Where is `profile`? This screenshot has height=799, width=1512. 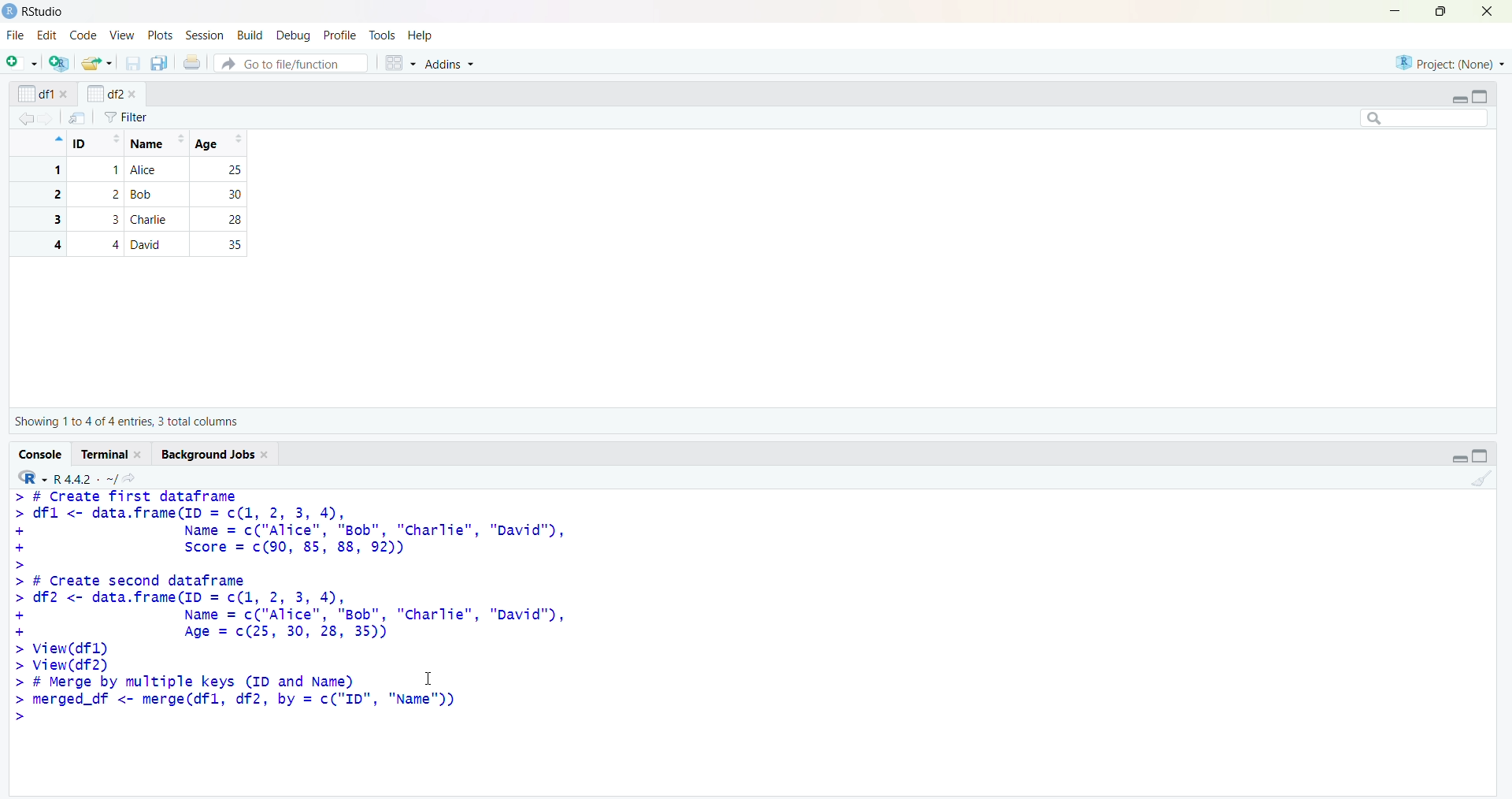
profile is located at coordinates (339, 35).